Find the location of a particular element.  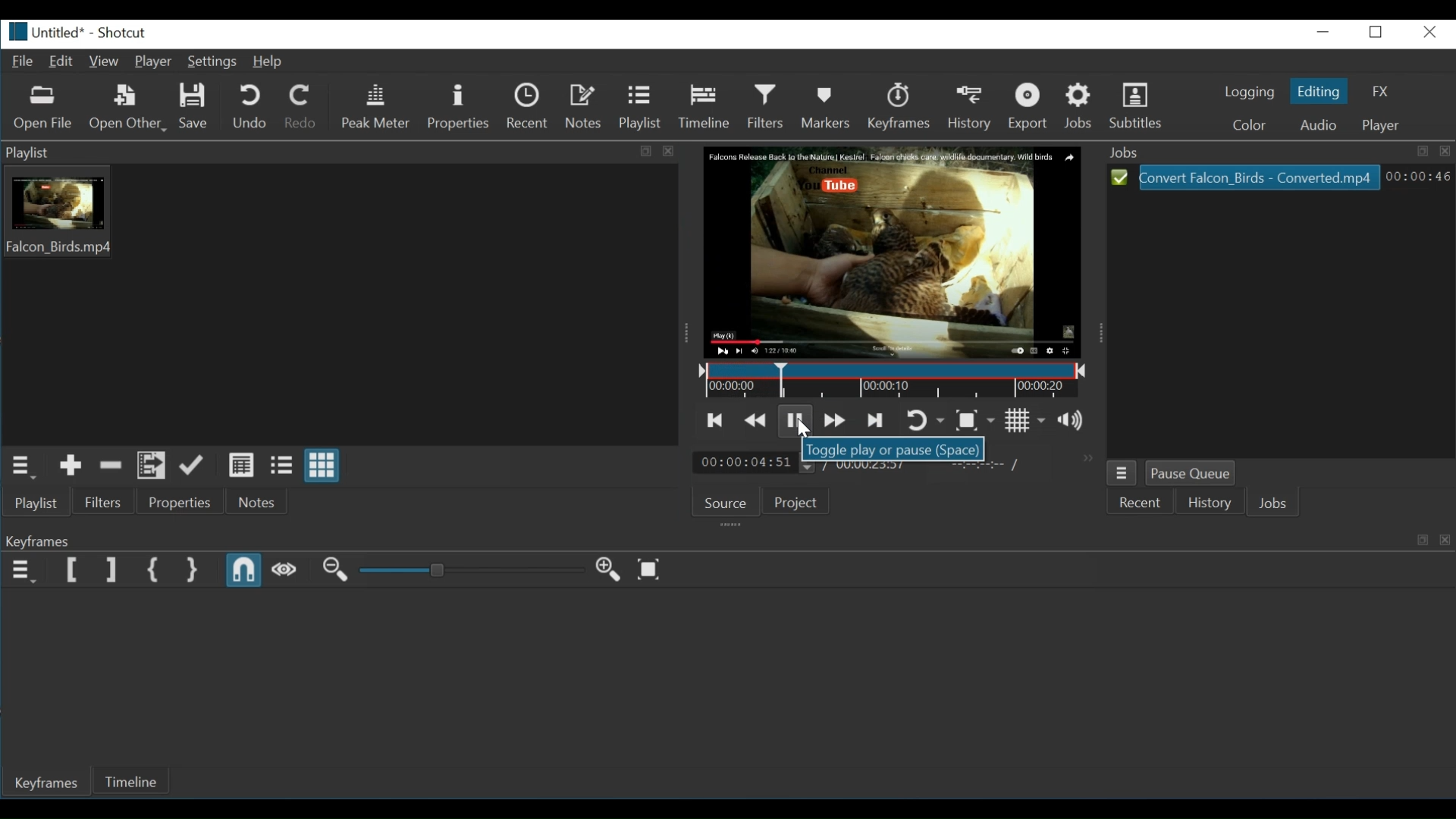

Logging is located at coordinates (1250, 91).